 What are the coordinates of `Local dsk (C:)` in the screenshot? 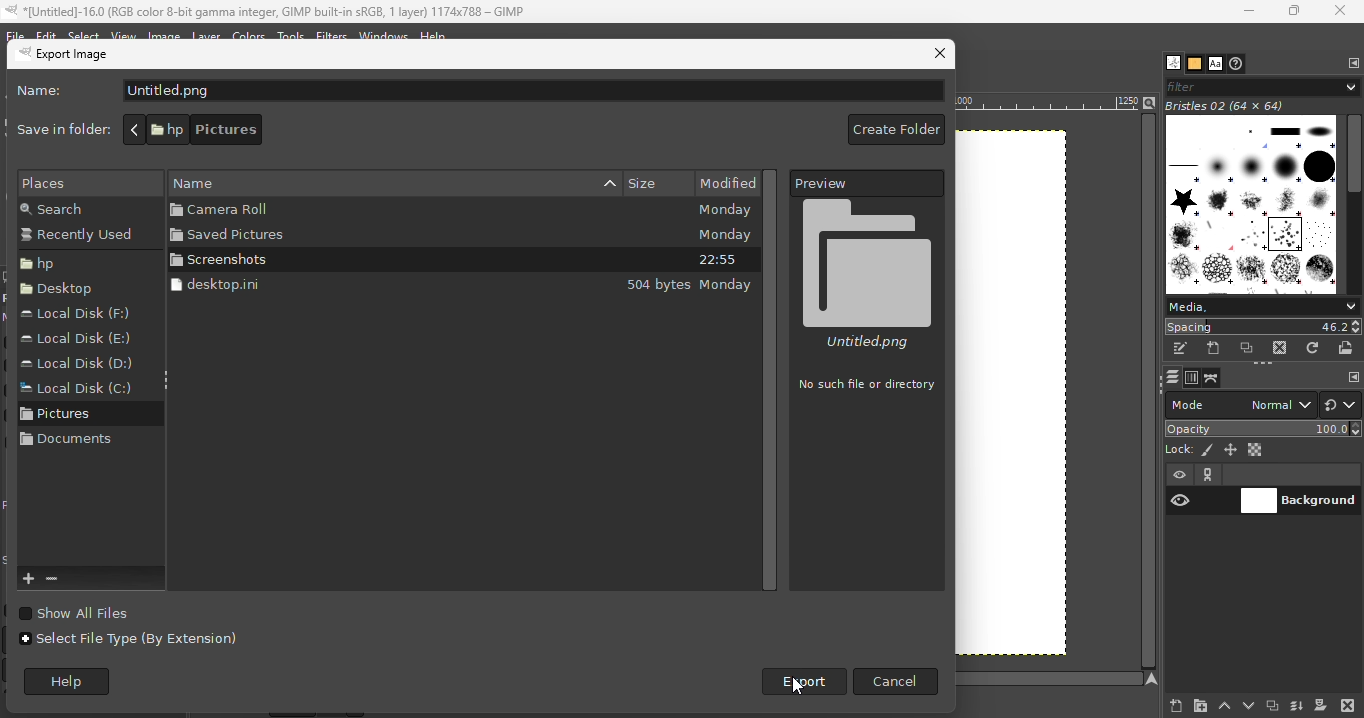 It's located at (75, 390).